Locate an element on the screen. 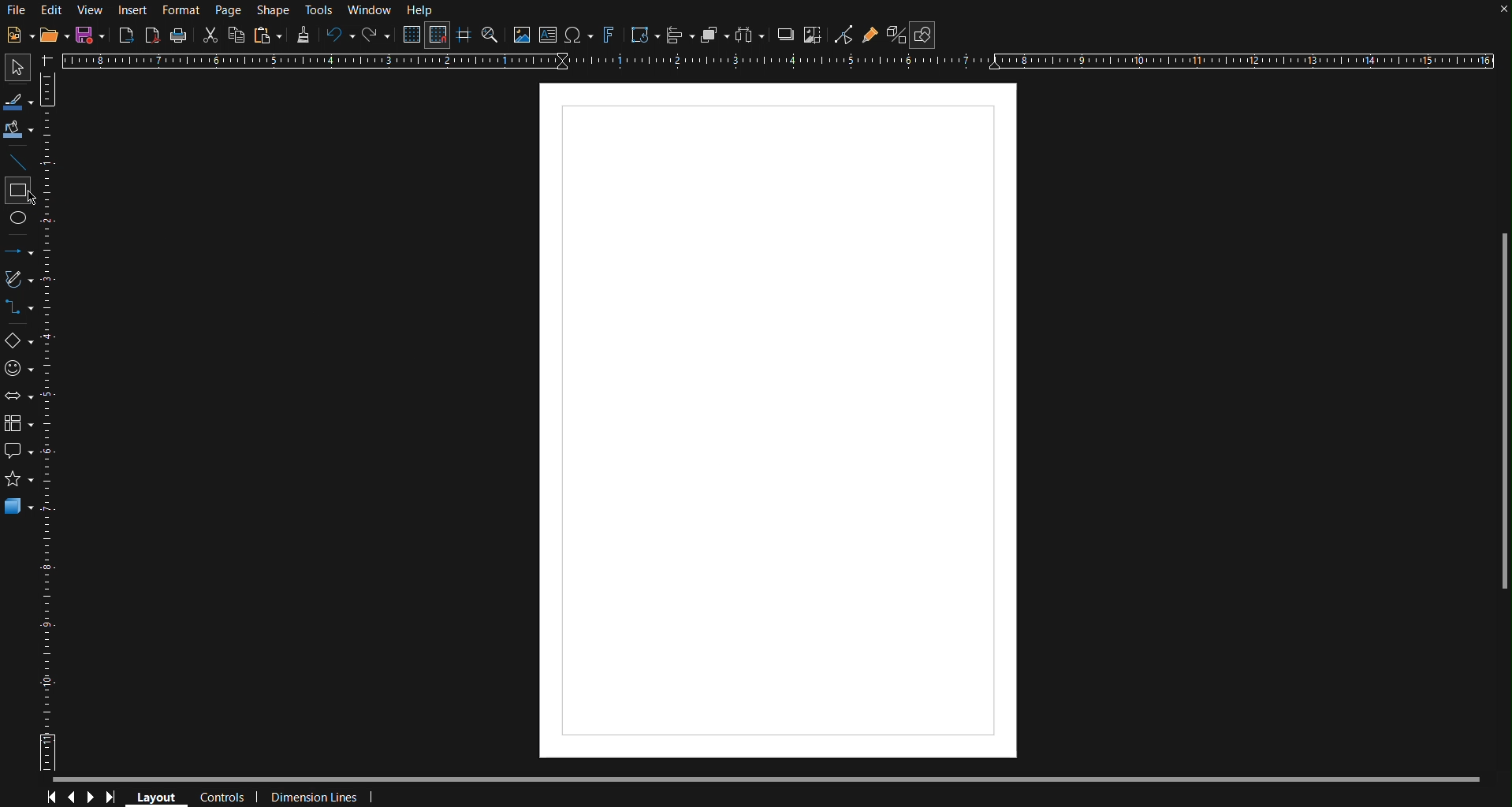  Rectangle is located at coordinates (18, 190).